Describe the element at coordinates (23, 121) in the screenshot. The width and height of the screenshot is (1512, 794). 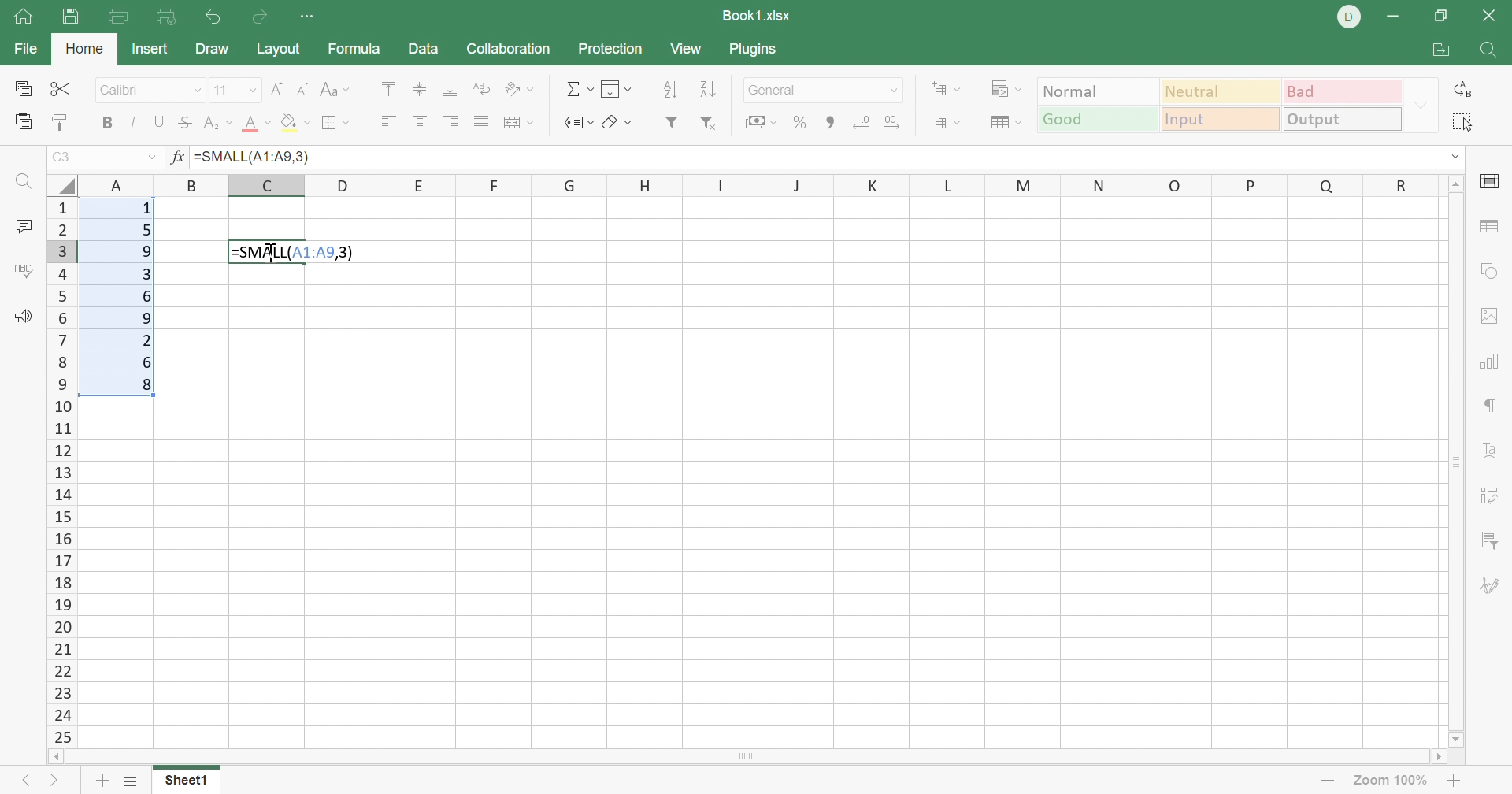
I see `Paste` at that location.